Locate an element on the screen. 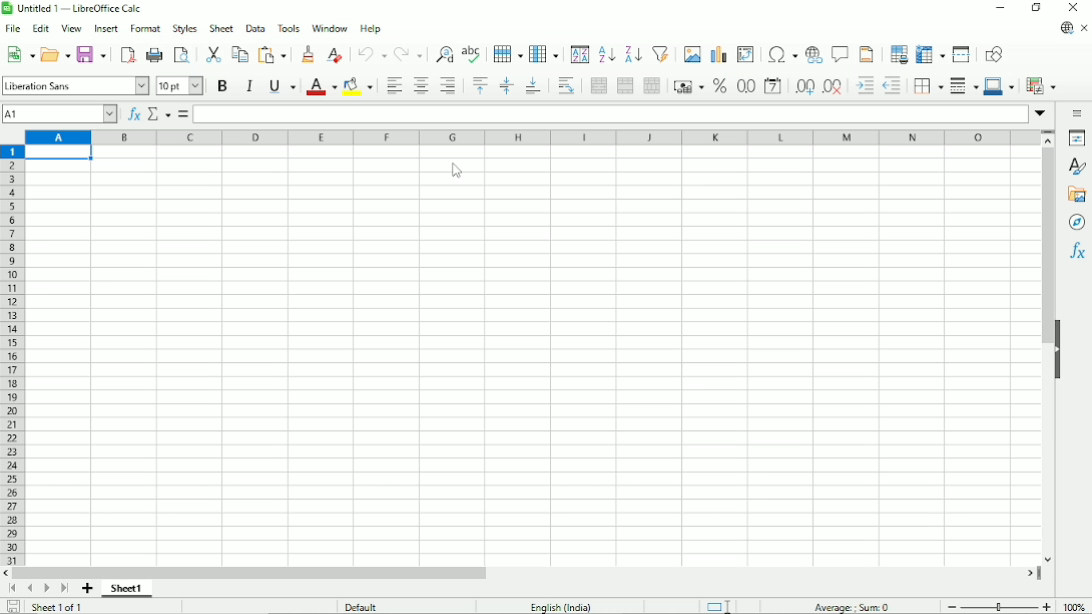 This screenshot has height=614, width=1092. Export directly as PDF is located at coordinates (128, 55).